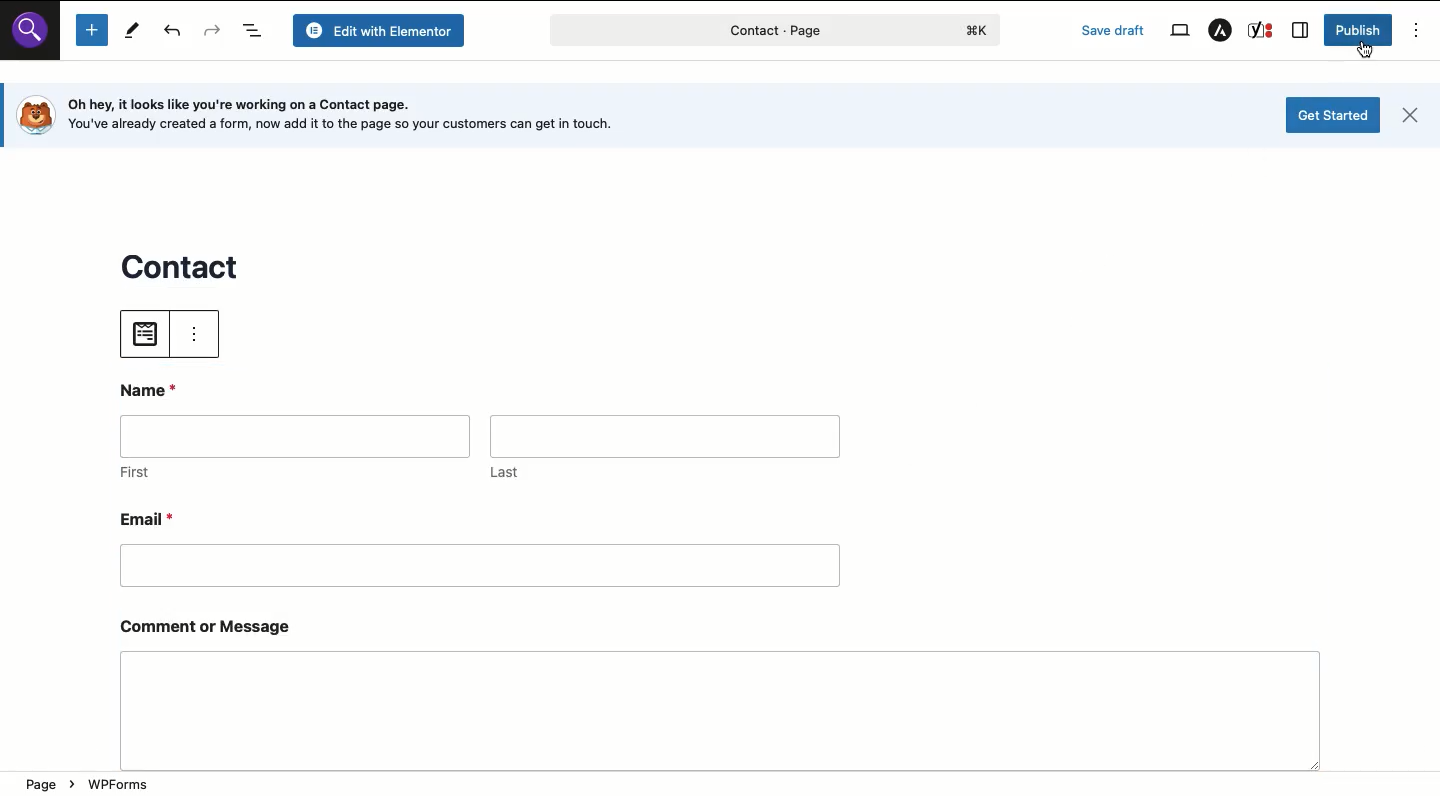 This screenshot has width=1440, height=796. Describe the element at coordinates (1357, 30) in the screenshot. I see `Publish` at that location.